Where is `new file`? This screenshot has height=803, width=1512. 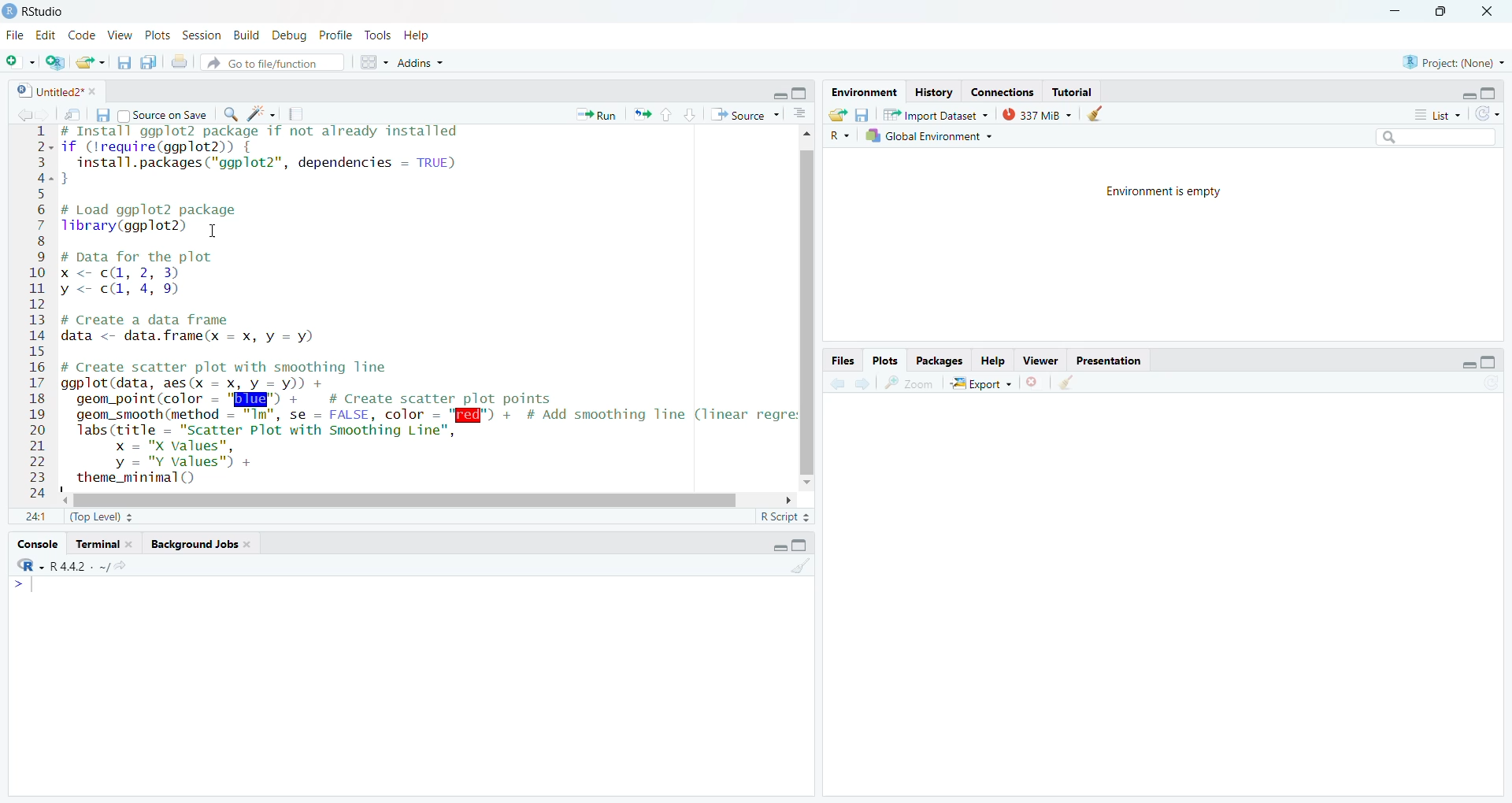
new file is located at coordinates (20, 60).